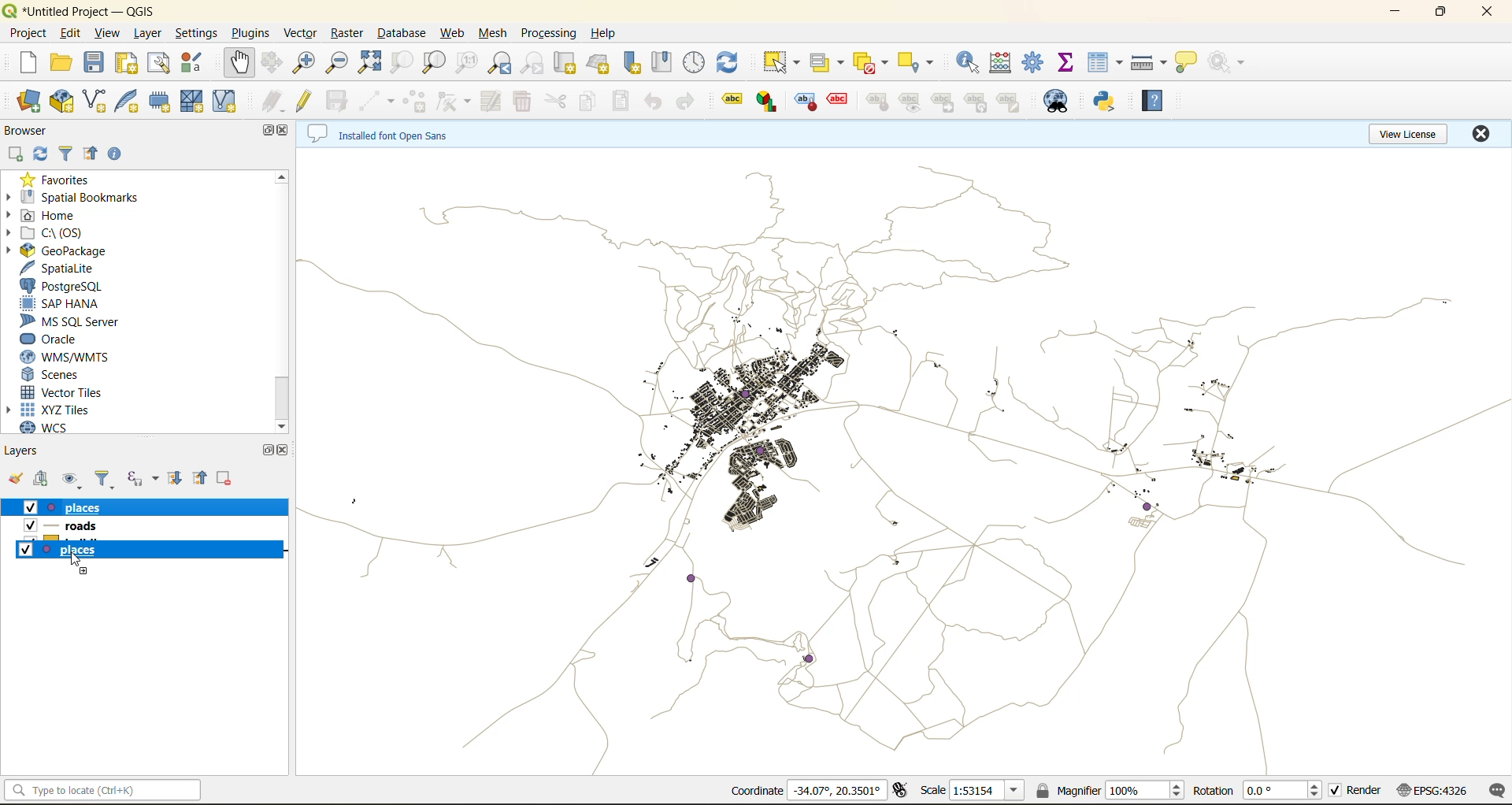  What do you see at coordinates (470, 63) in the screenshot?
I see `zoom native` at bounding box center [470, 63].